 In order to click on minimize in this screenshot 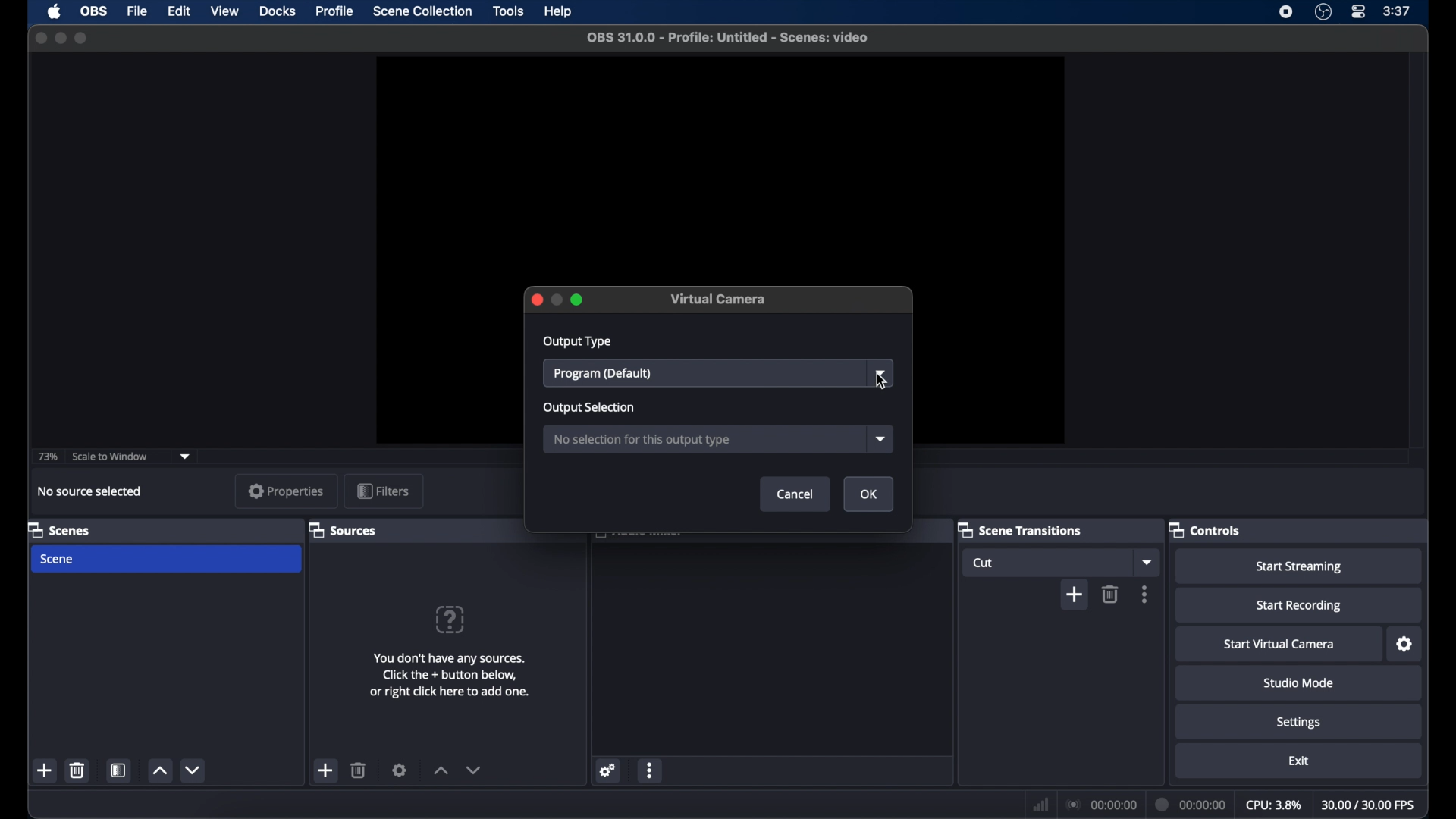, I will do `click(60, 39)`.